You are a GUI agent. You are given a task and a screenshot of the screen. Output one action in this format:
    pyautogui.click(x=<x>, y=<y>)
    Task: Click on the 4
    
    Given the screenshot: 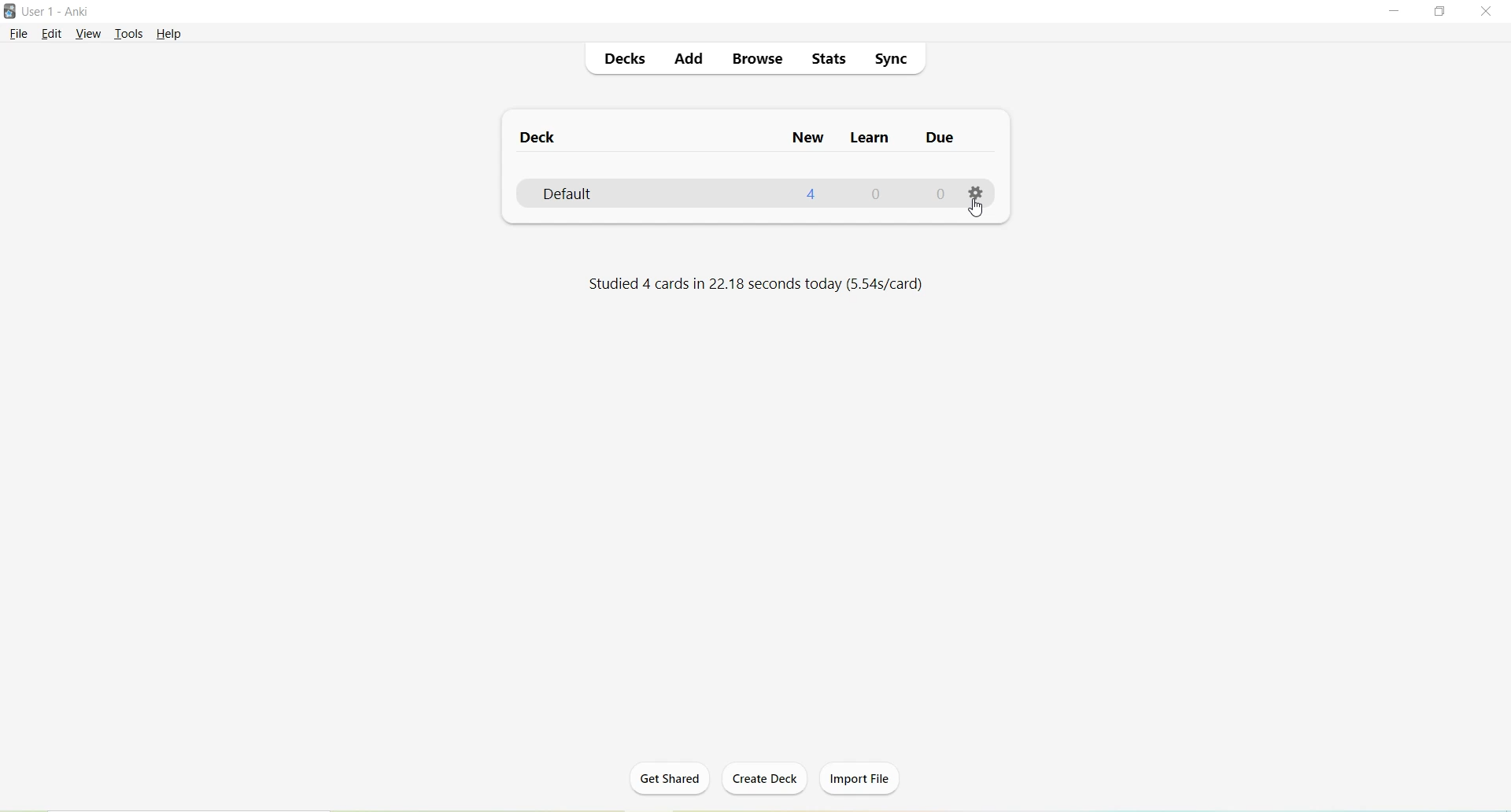 What is the action you would take?
    pyautogui.click(x=813, y=194)
    